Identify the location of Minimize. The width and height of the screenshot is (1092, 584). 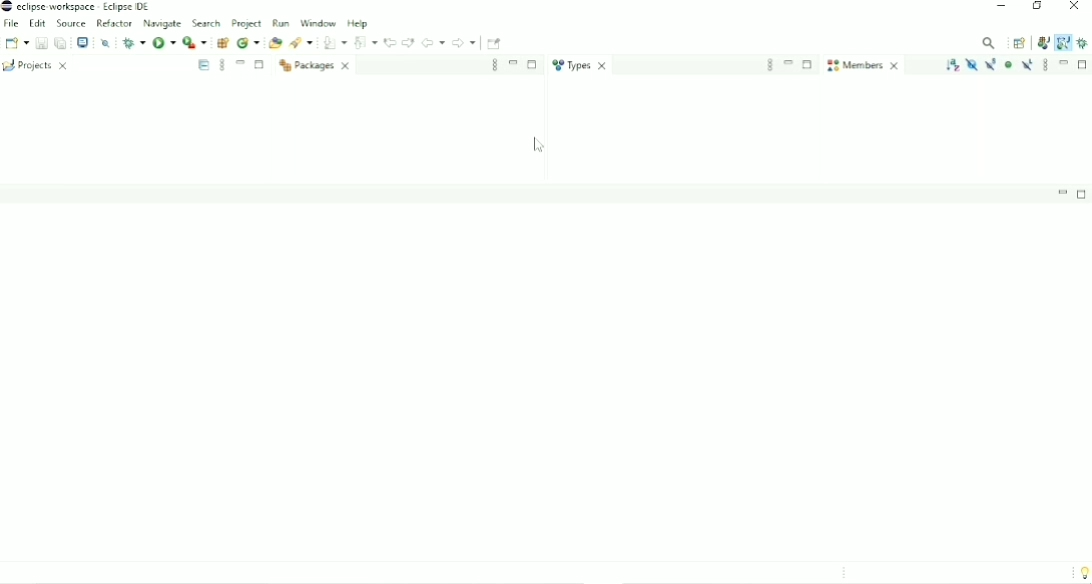
(788, 63).